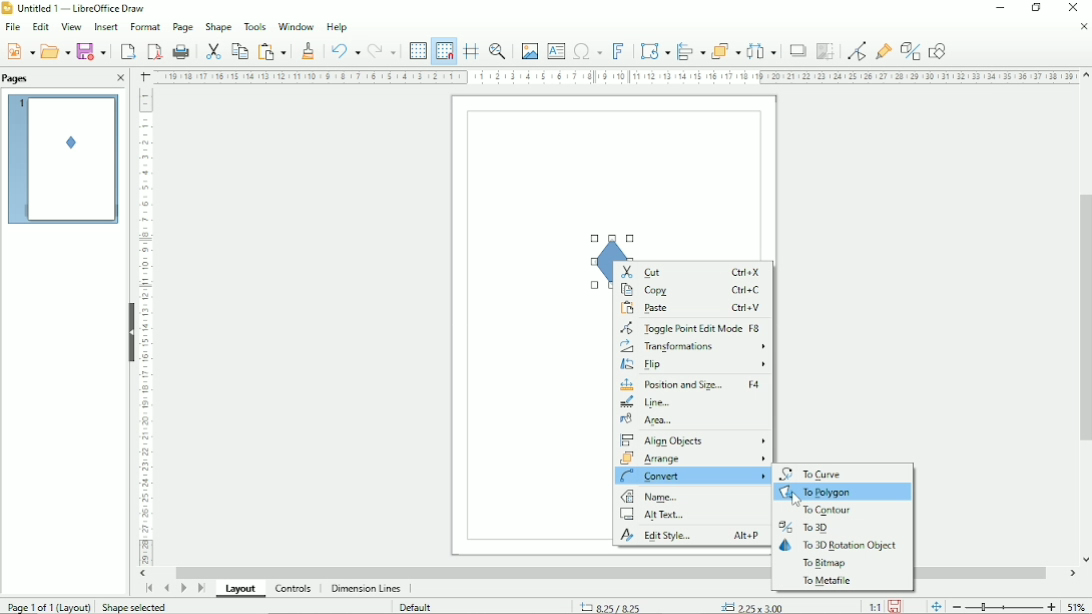 This screenshot has width=1092, height=614. Describe the element at coordinates (809, 527) in the screenshot. I see `To 3D` at that location.